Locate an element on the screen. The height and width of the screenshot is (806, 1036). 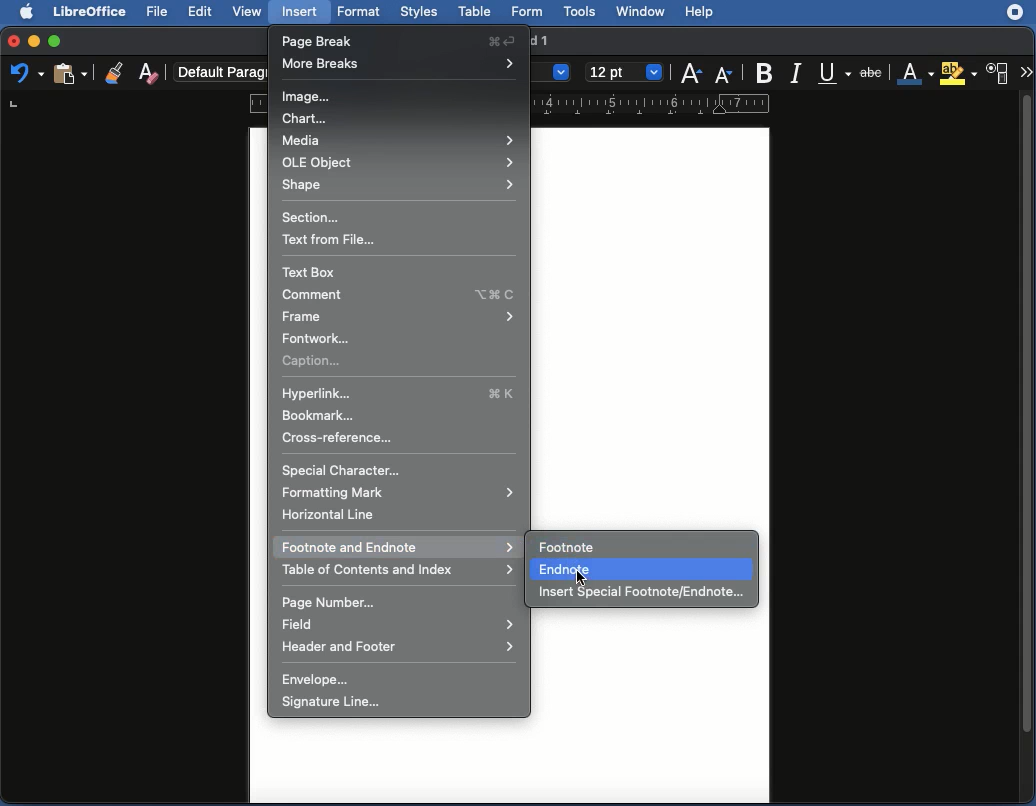
Endnote is located at coordinates (565, 568).